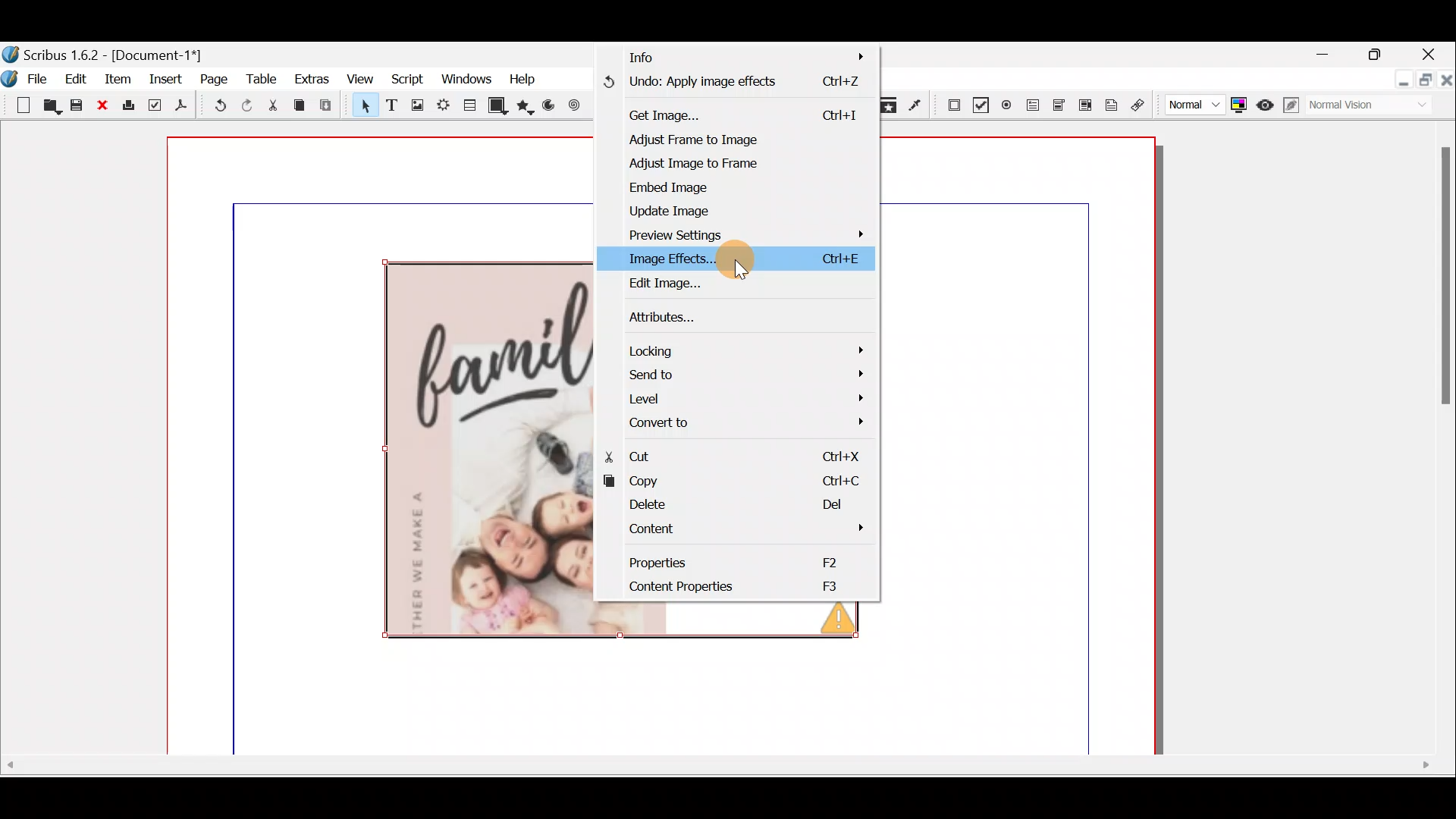 This screenshot has height=819, width=1456. Describe the element at coordinates (48, 106) in the screenshot. I see `Open` at that location.